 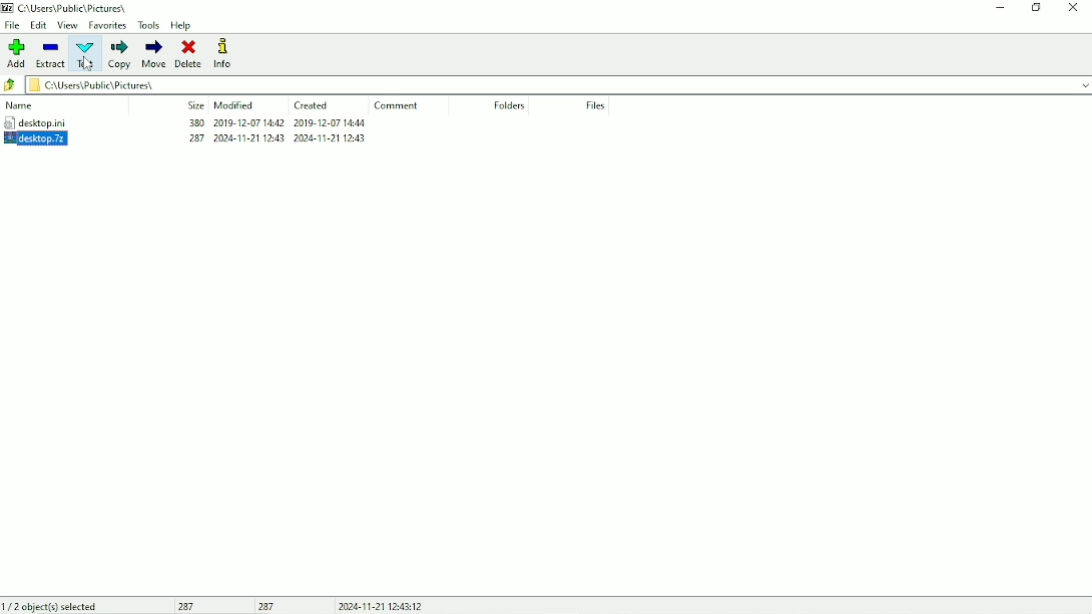 What do you see at coordinates (75, 8) in the screenshot?
I see `C\Users\Pubhc\ Pictures,` at bounding box center [75, 8].